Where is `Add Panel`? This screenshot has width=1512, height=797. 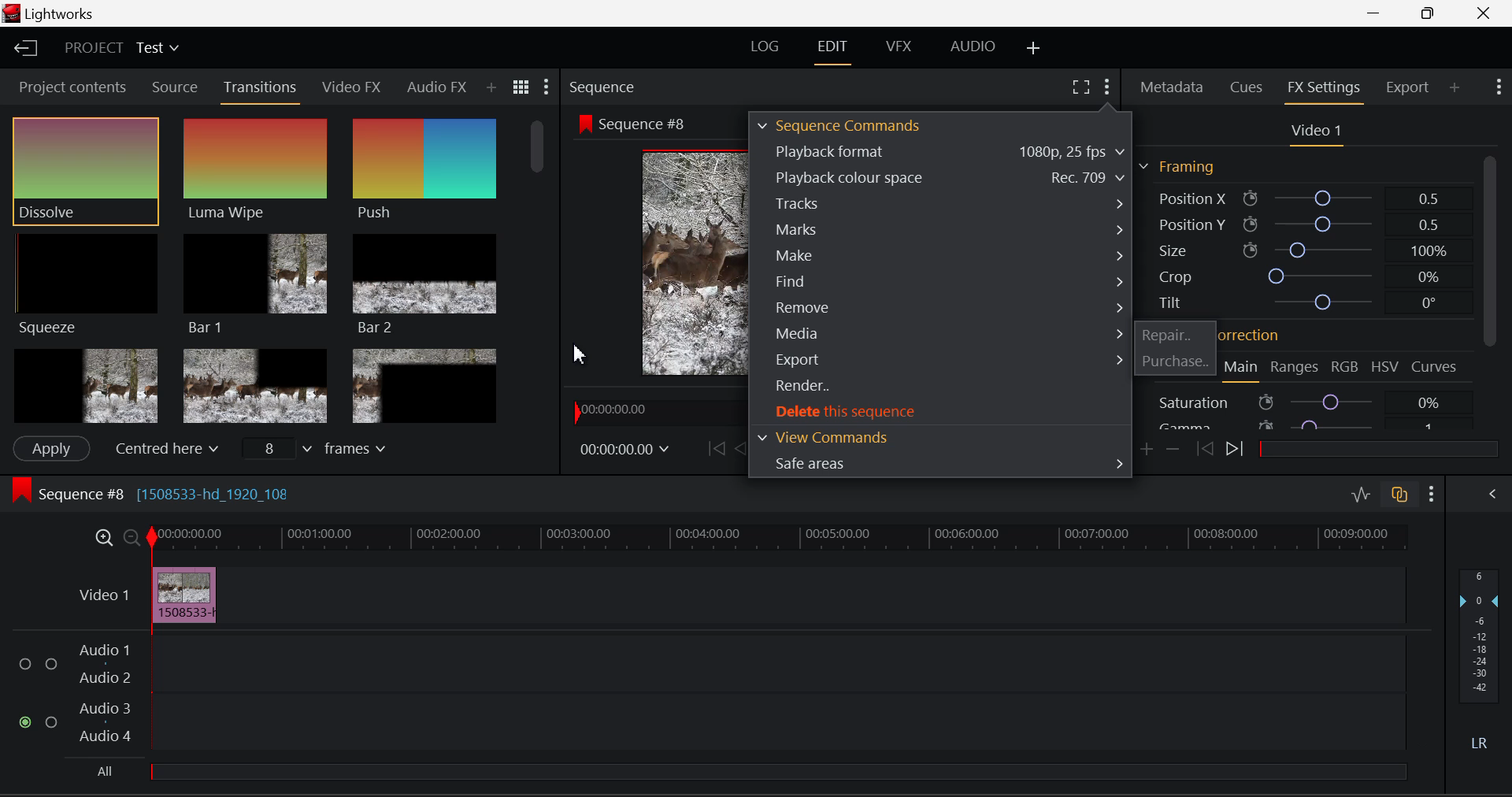
Add Panel is located at coordinates (1456, 88).